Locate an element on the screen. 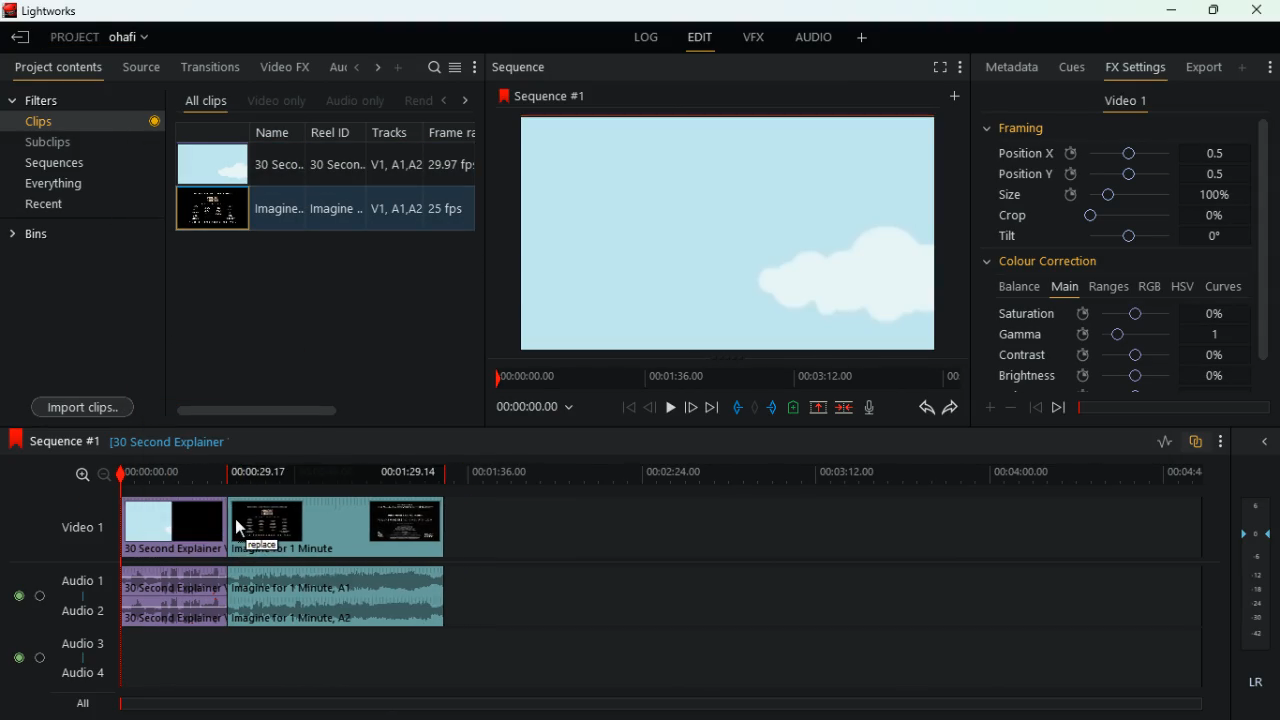 This screenshot has height=720, width=1280. audio is located at coordinates (338, 596).